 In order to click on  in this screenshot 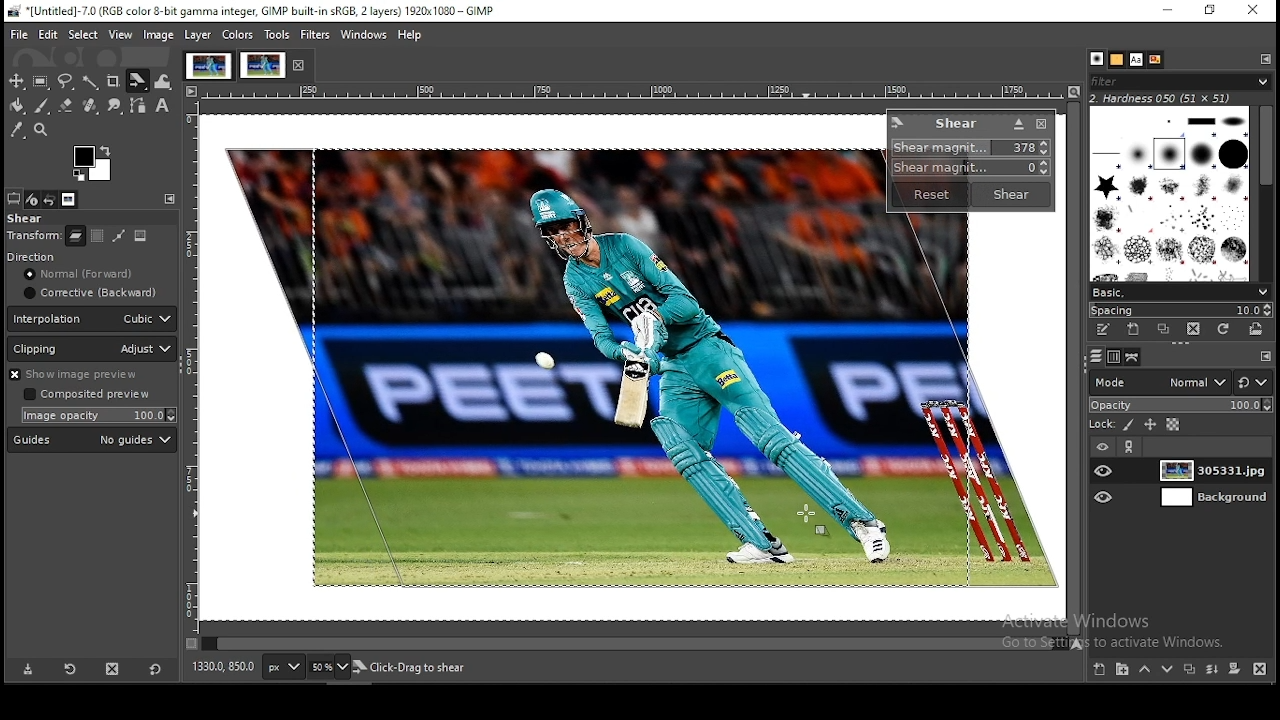, I will do `click(1018, 124)`.